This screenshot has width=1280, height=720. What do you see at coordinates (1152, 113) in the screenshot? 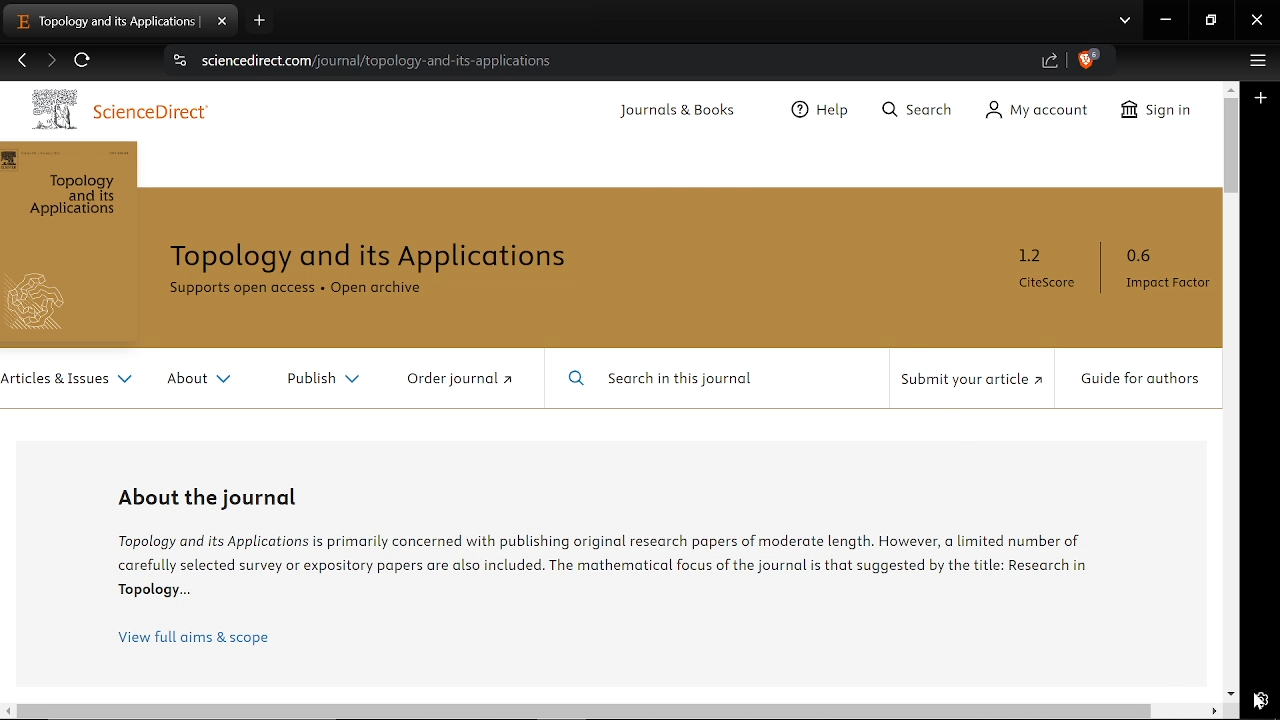
I see `Sign In` at bounding box center [1152, 113].